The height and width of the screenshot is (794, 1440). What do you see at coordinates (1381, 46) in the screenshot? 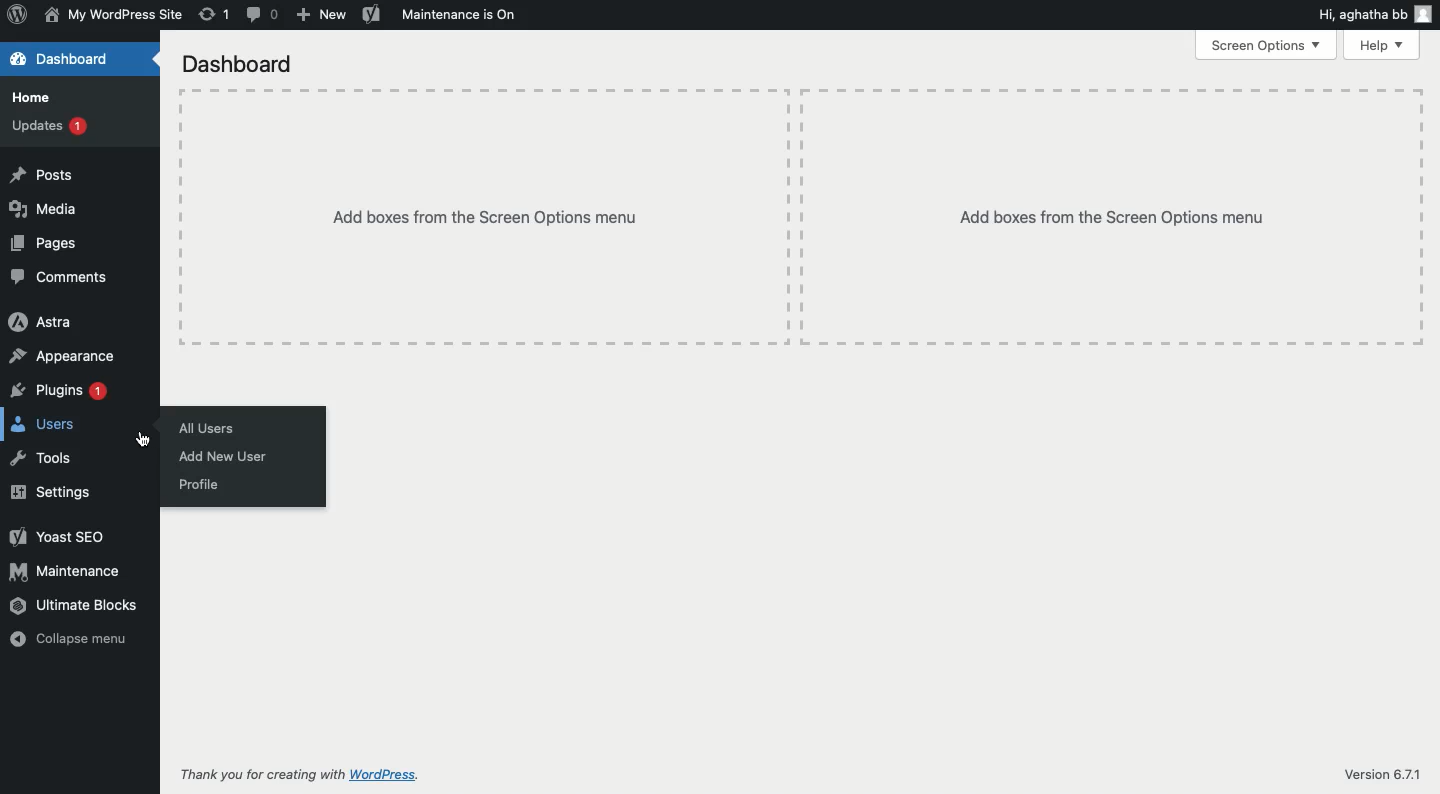
I see `Help` at bounding box center [1381, 46].